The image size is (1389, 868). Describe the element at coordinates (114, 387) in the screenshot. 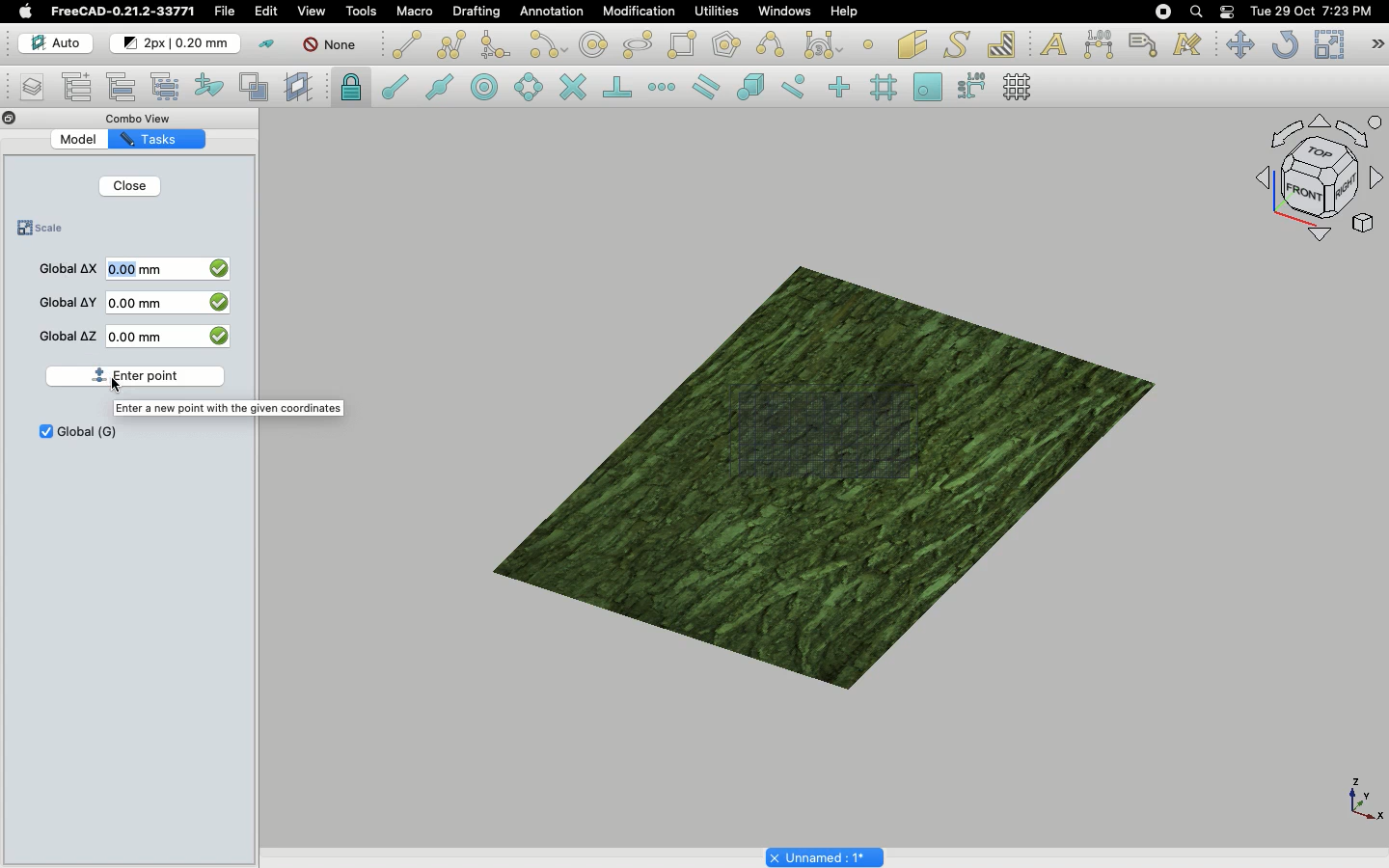

I see `cursor` at that location.